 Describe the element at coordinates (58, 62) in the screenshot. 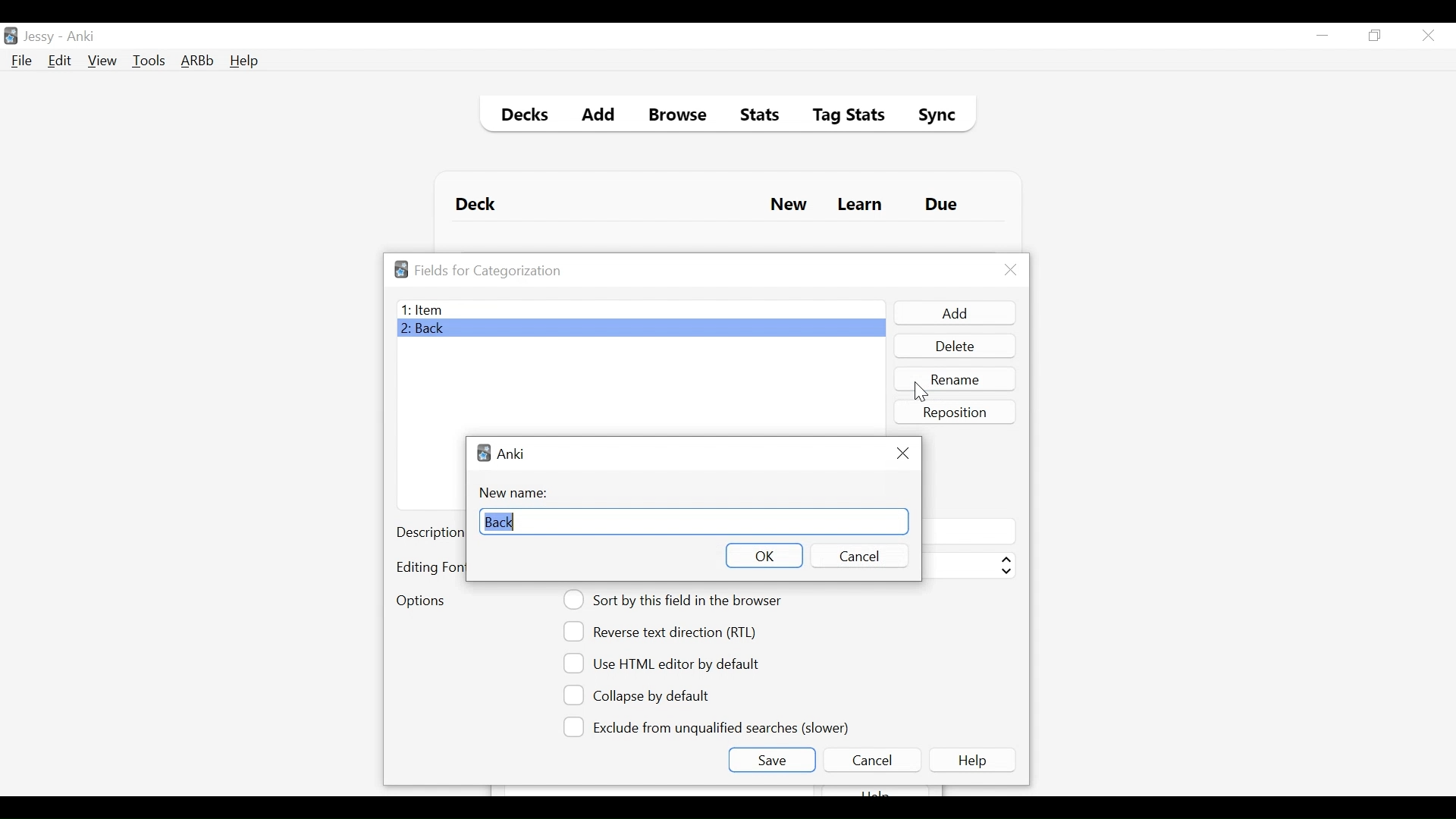

I see `Edit` at that location.